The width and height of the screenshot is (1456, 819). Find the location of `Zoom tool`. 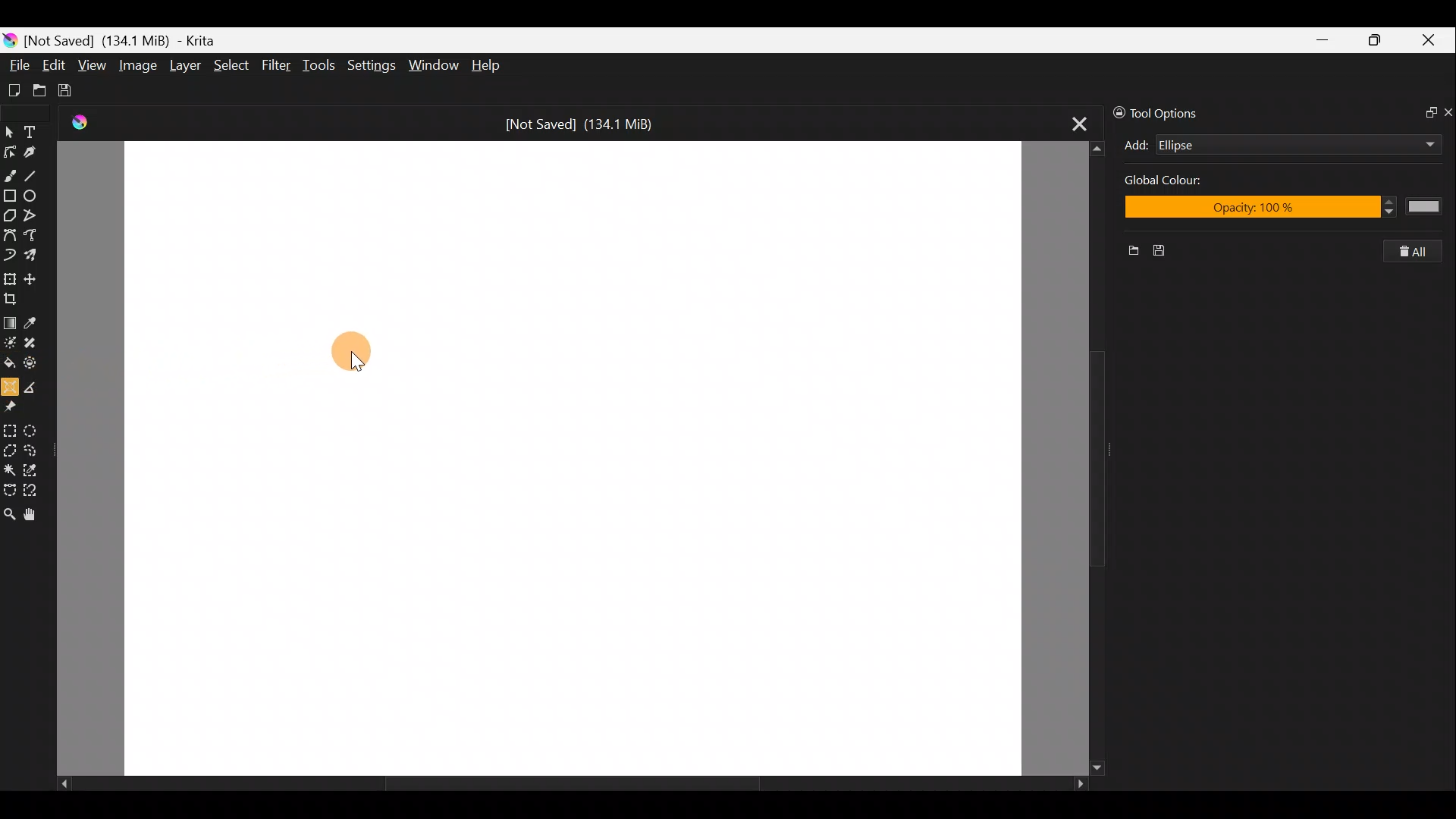

Zoom tool is located at coordinates (9, 513).